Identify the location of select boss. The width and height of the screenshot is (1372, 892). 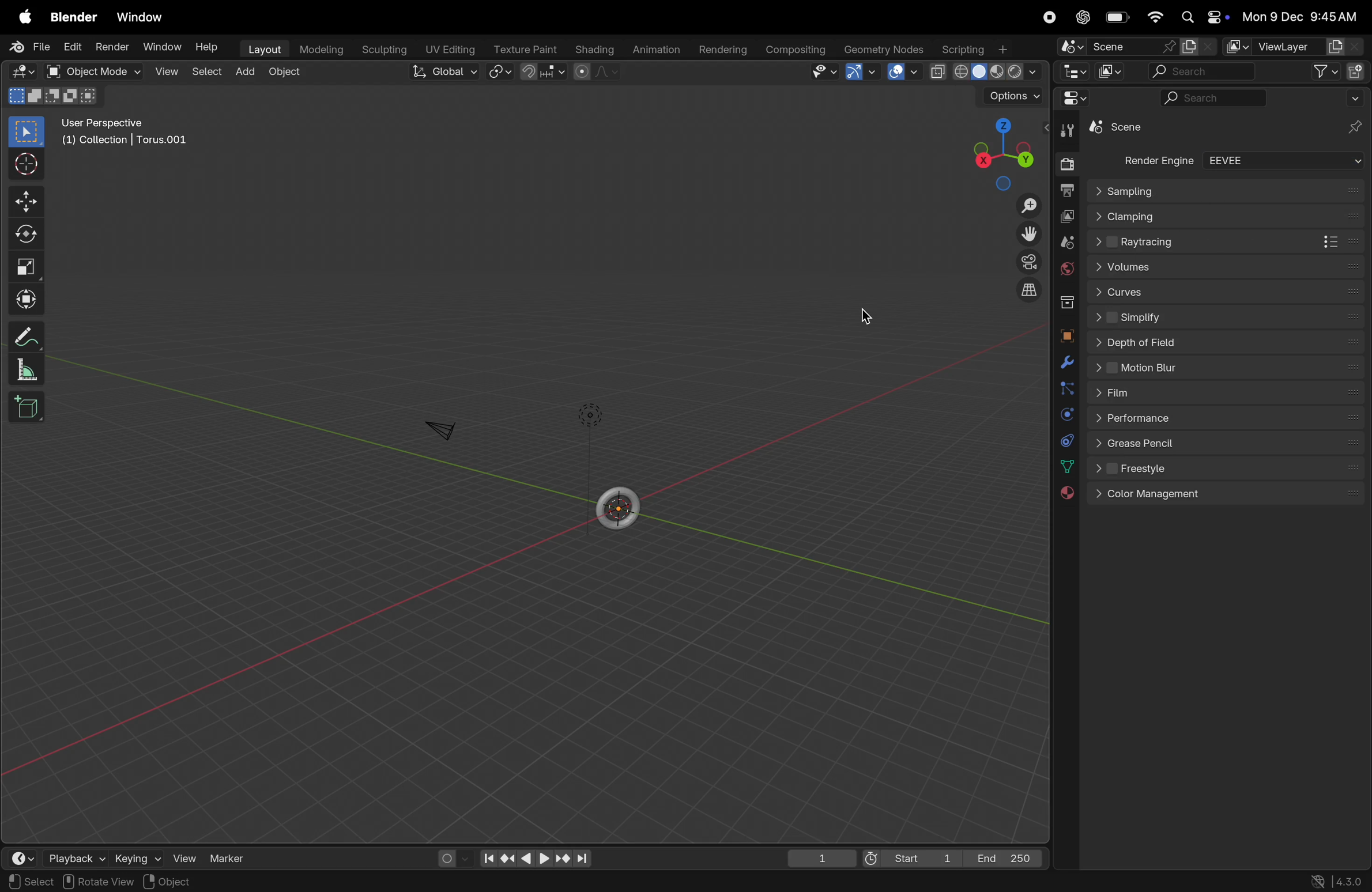
(31, 133).